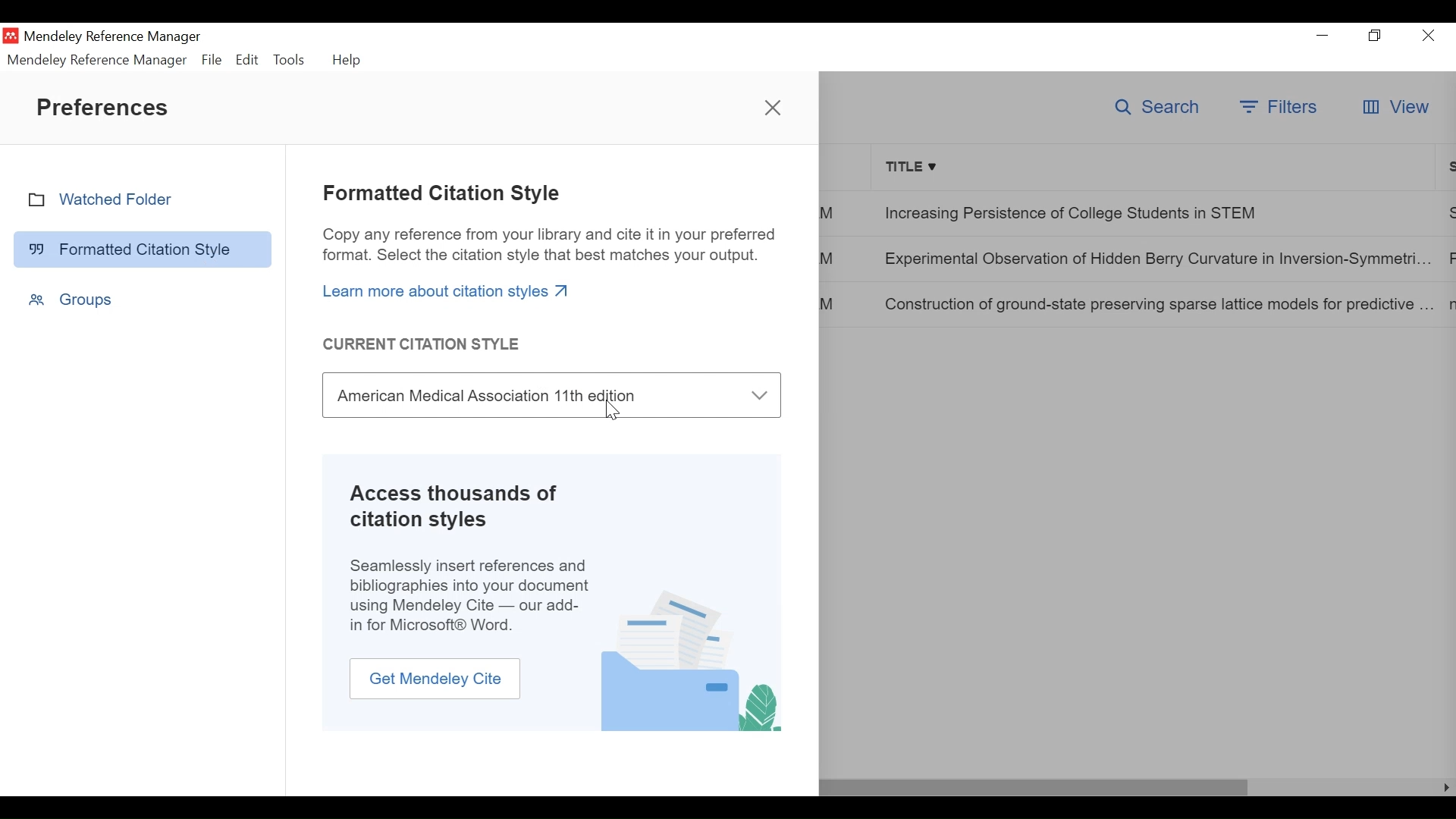 This screenshot has height=819, width=1456. Describe the element at coordinates (350, 60) in the screenshot. I see `Help` at that location.